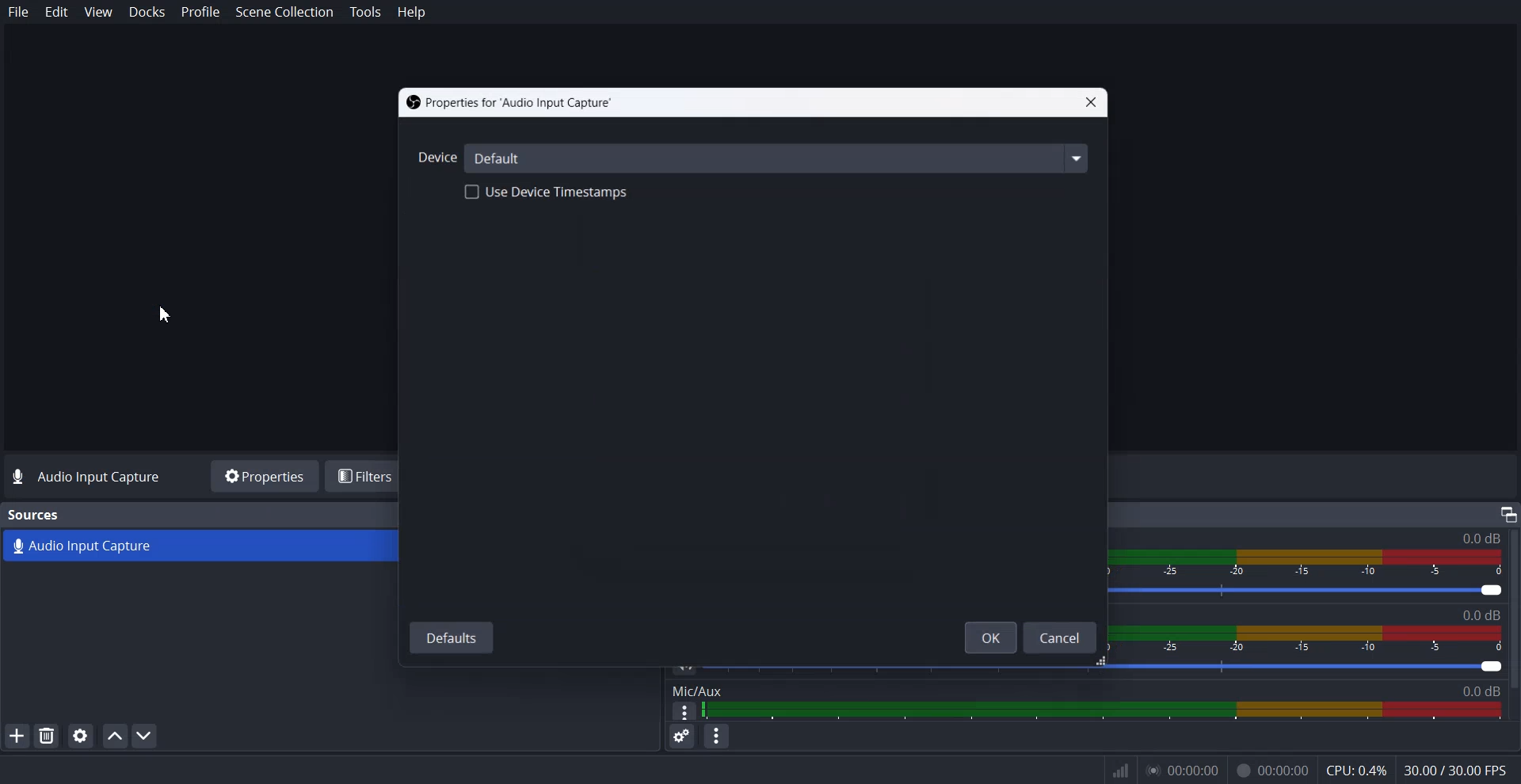  What do you see at coordinates (1473, 536) in the screenshot?
I see `0.00db` at bounding box center [1473, 536].